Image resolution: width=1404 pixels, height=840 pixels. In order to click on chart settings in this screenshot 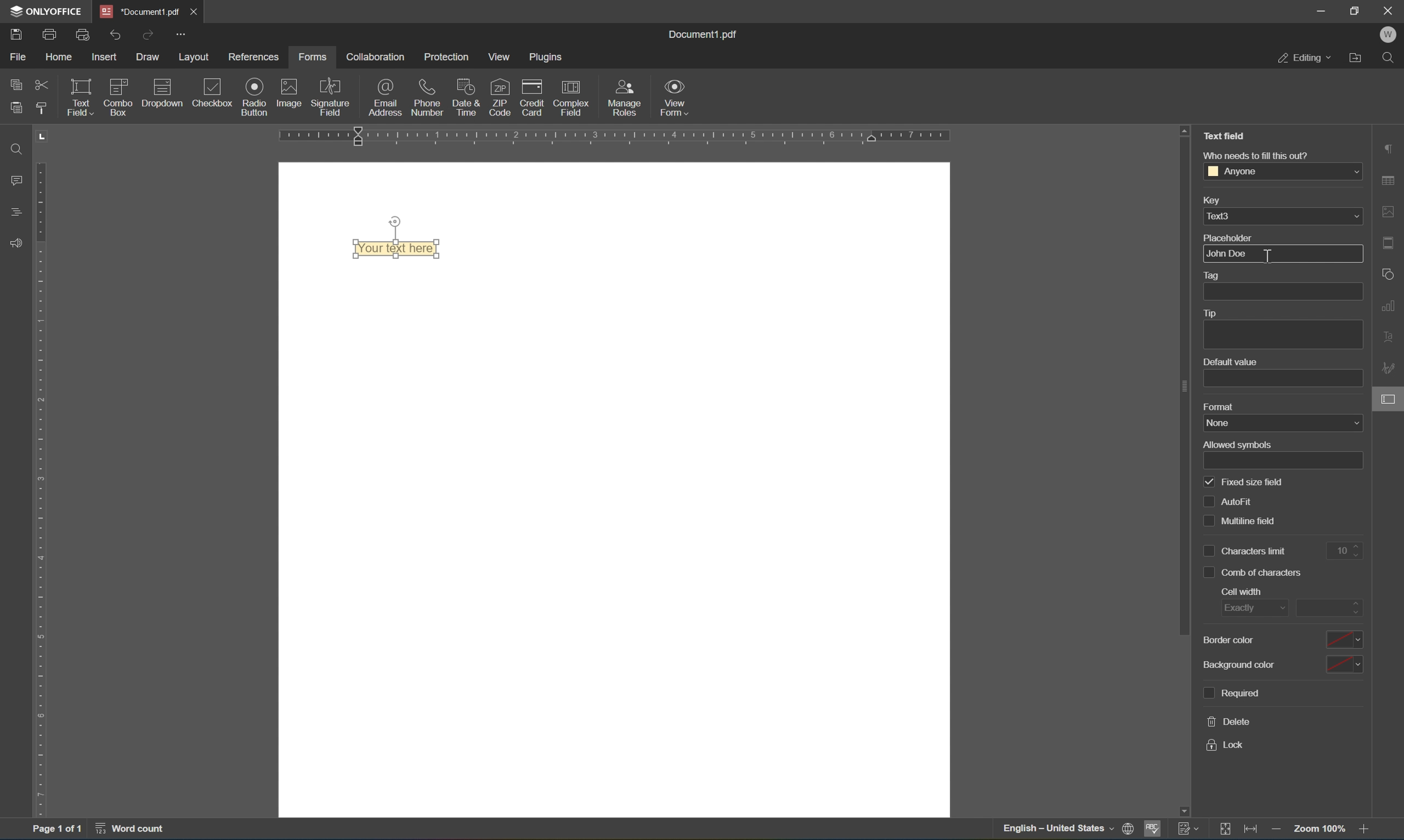, I will do `click(1391, 306)`.